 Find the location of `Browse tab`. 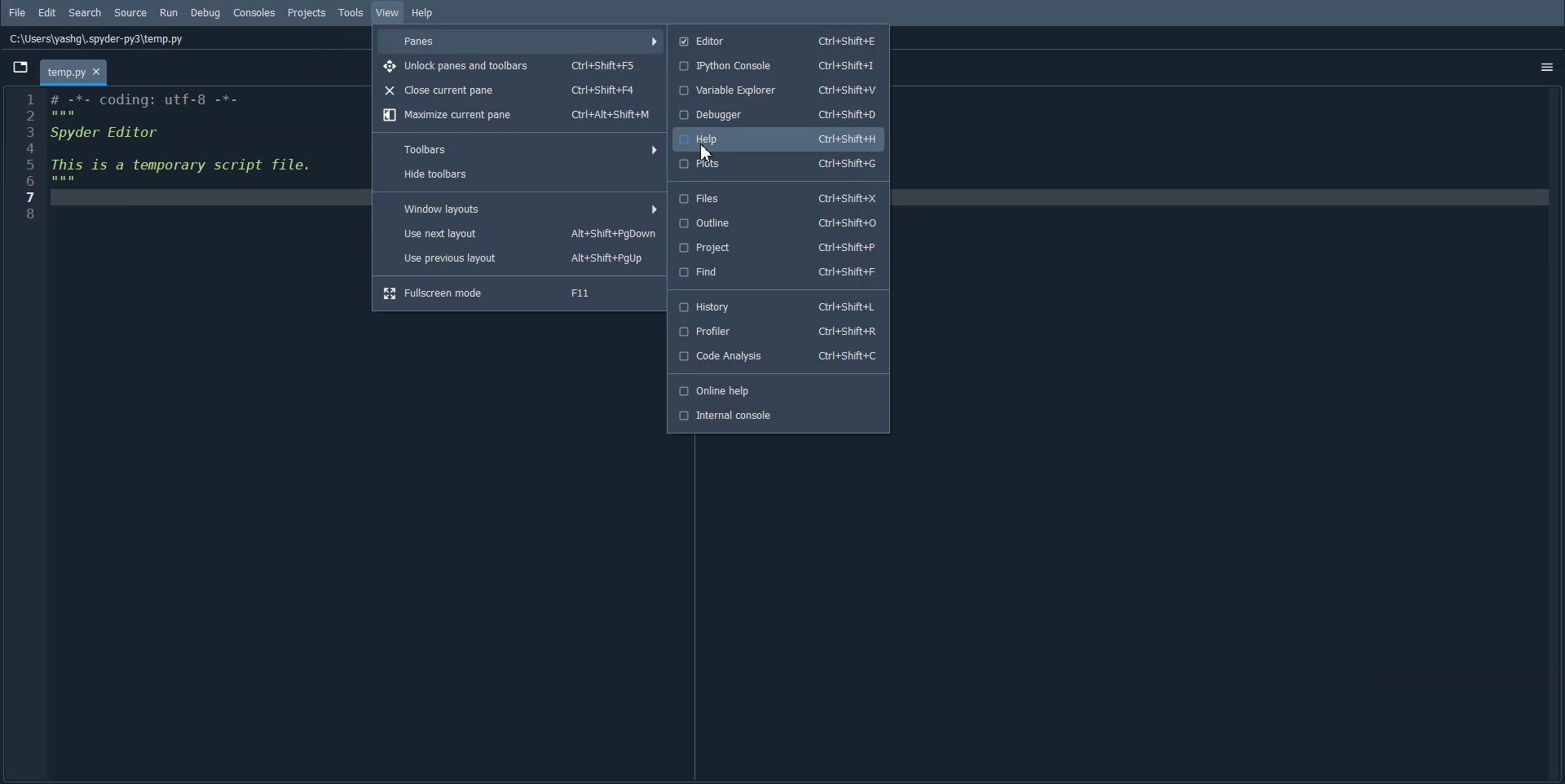

Browse tab is located at coordinates (20, 67).